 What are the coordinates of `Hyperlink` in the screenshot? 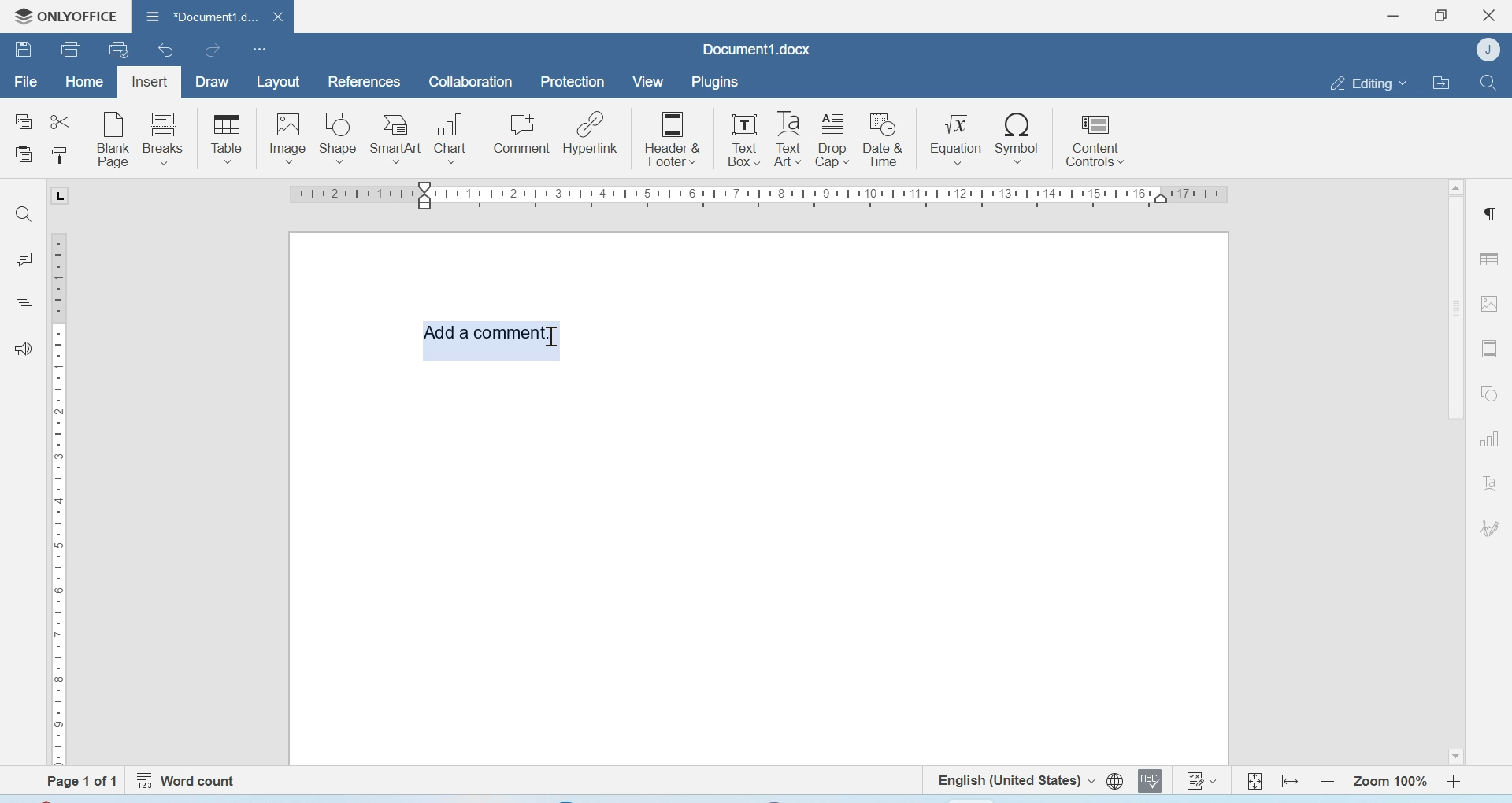 It's located at (590, 133).